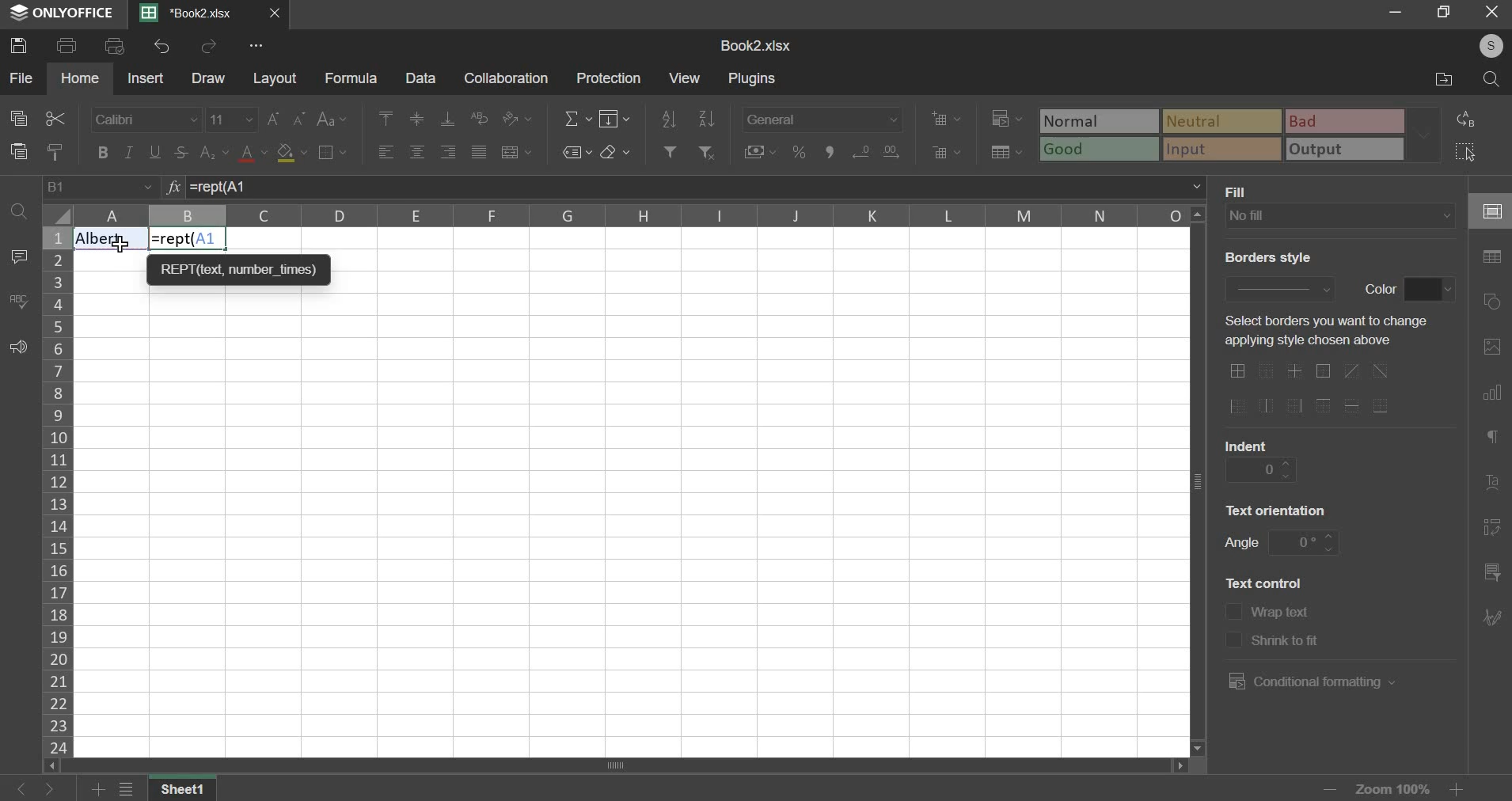  I want to click on =rept(A1, so click(698, 188).